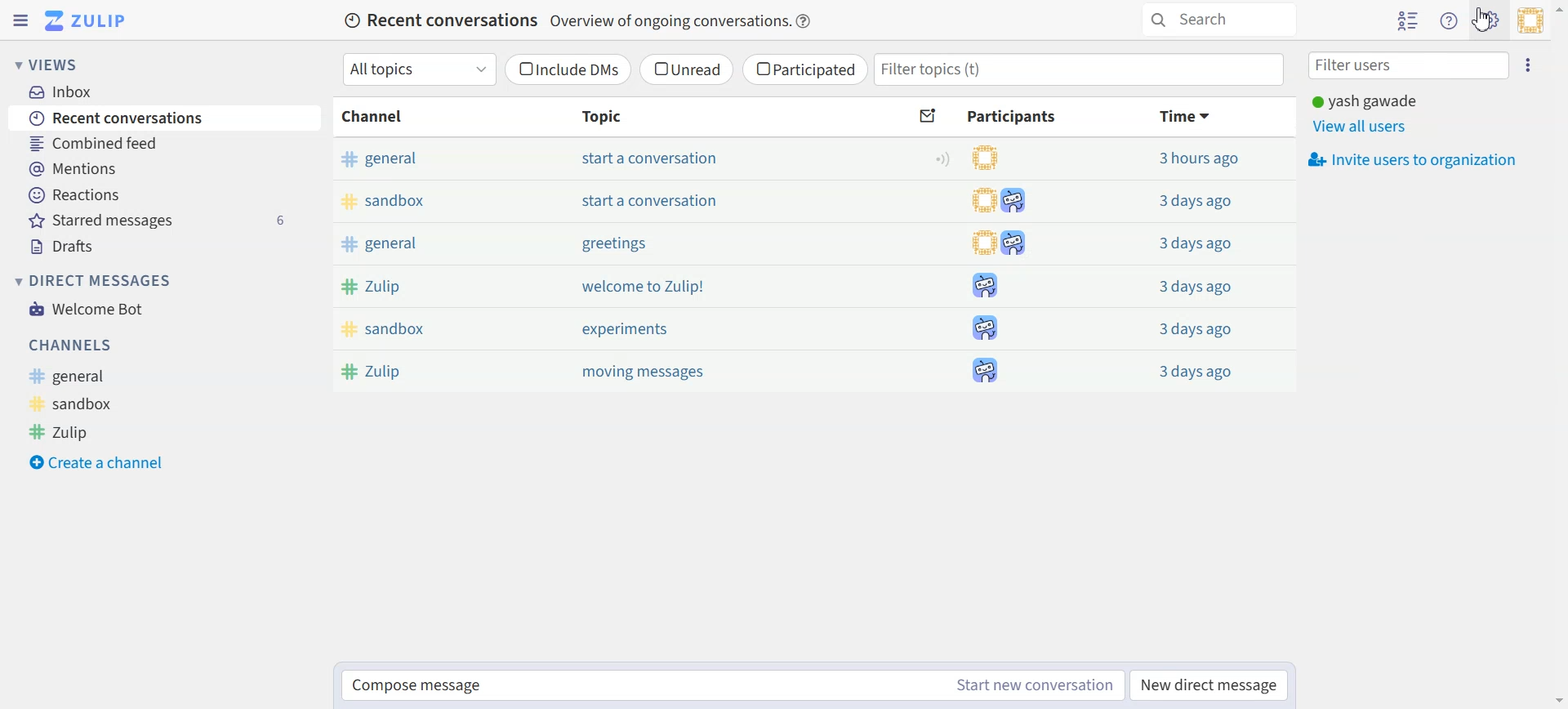 The image size is (1568, 709). What do you see at coordinates (84, 92) in the screenshot?
I see `Inbox` at bounding box center [84, 92].